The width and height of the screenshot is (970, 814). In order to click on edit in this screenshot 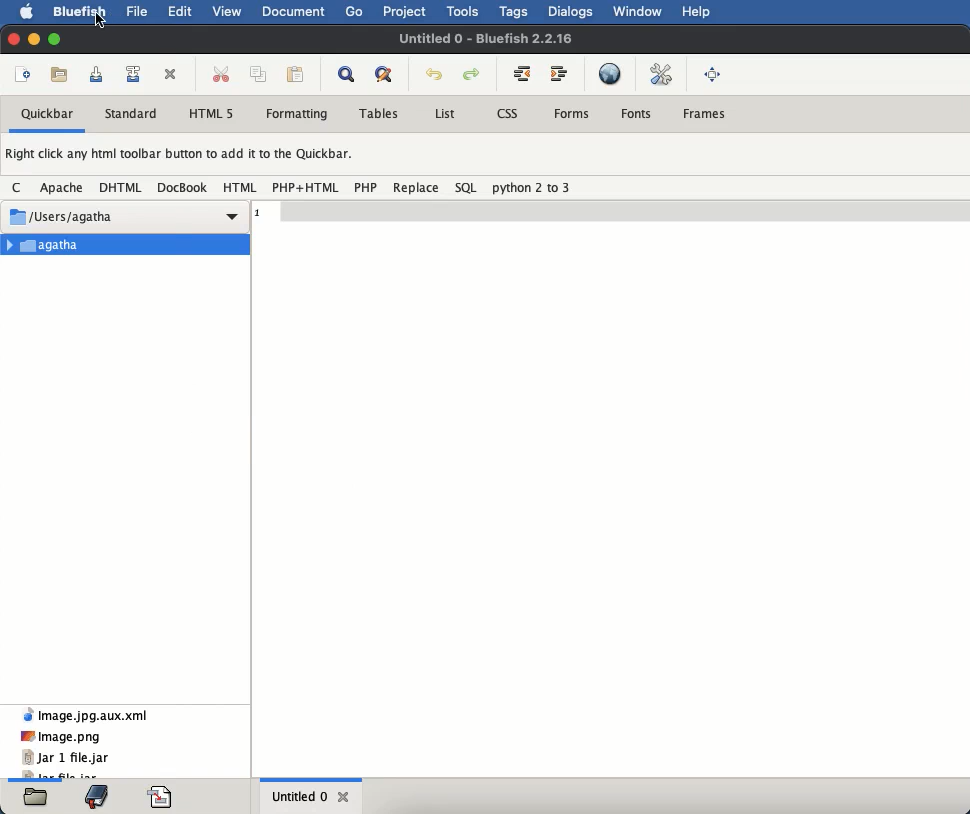, I will do `click(179, 11)`.